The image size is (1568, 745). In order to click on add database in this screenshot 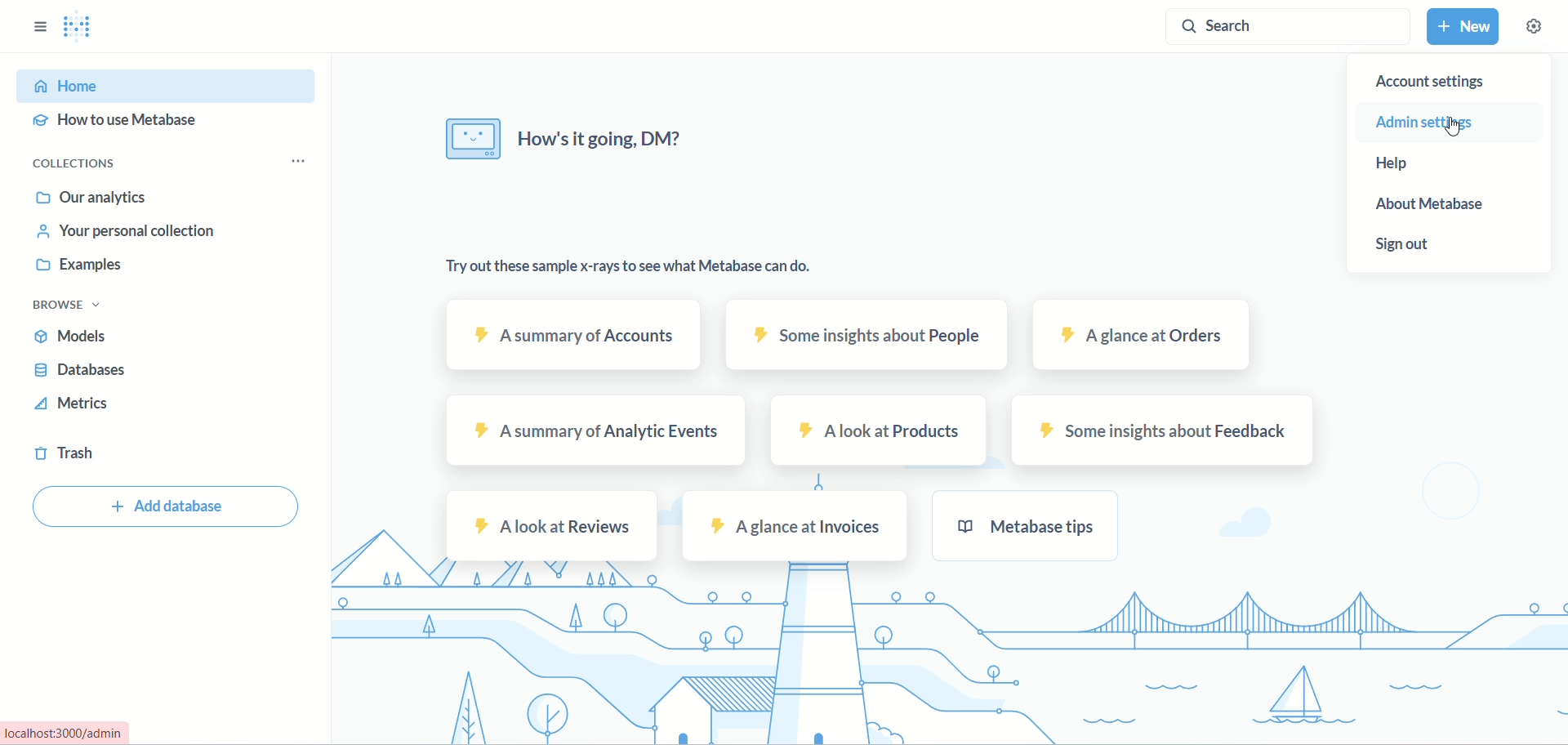, I will do `click(164, 511)`.